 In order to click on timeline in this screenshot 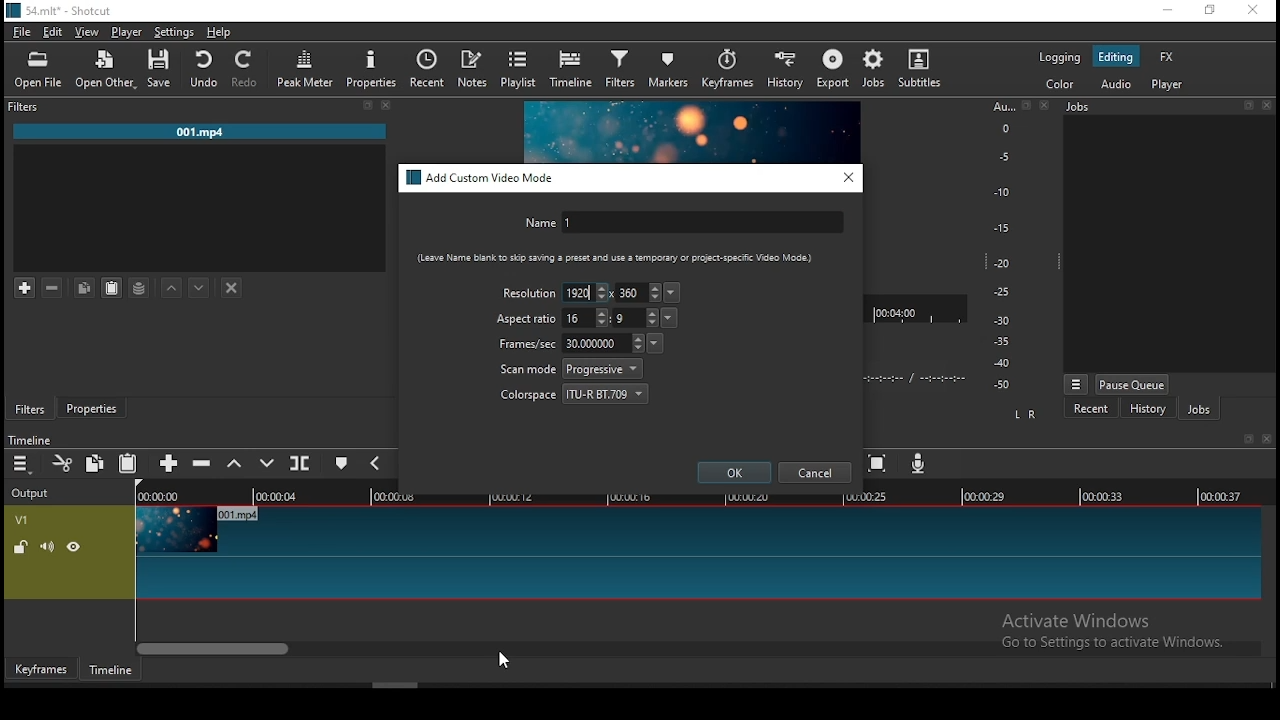, I will do `click(29, 440)`.